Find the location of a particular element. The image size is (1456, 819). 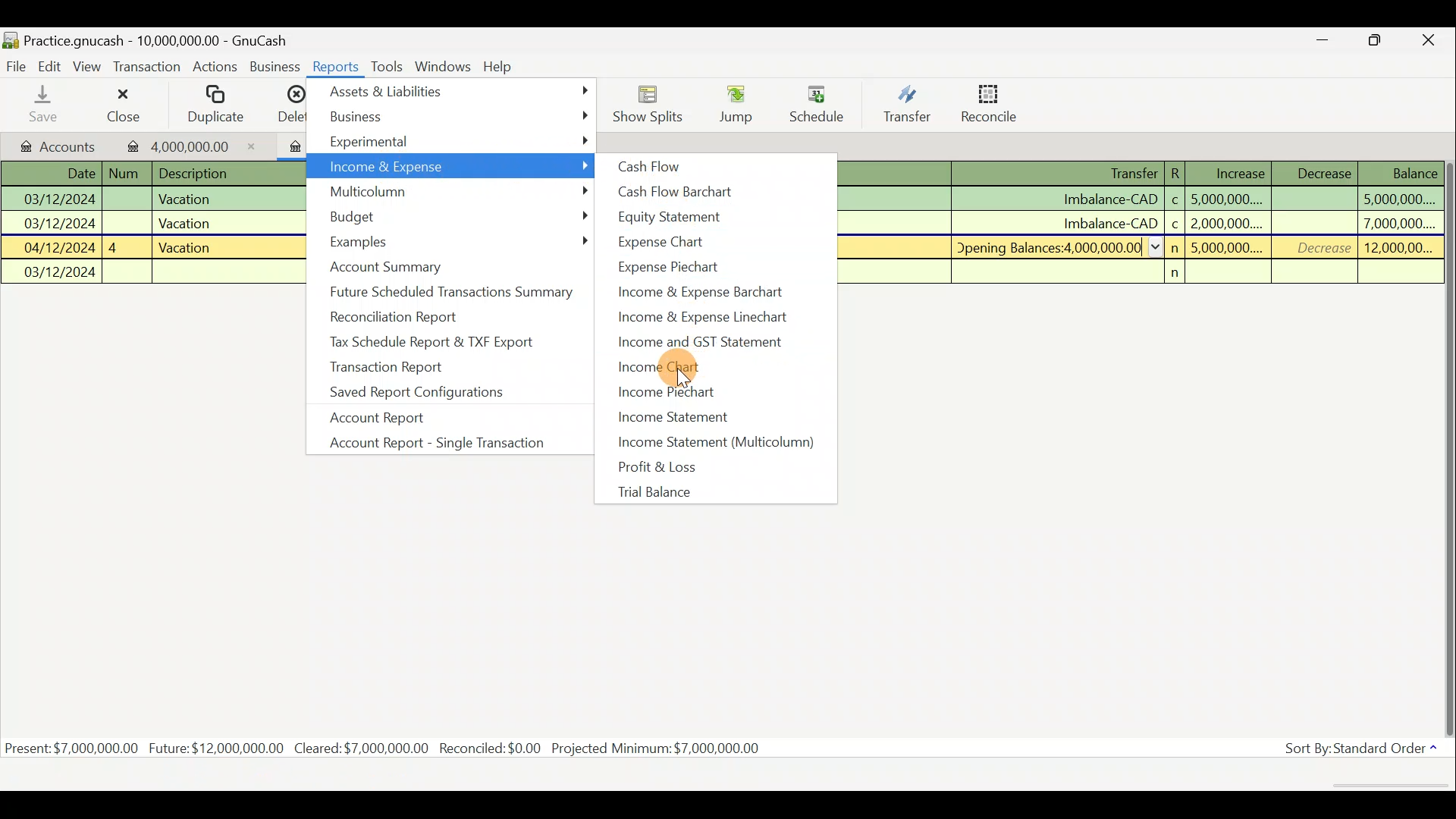

Business is located at coordinates (458, 116).